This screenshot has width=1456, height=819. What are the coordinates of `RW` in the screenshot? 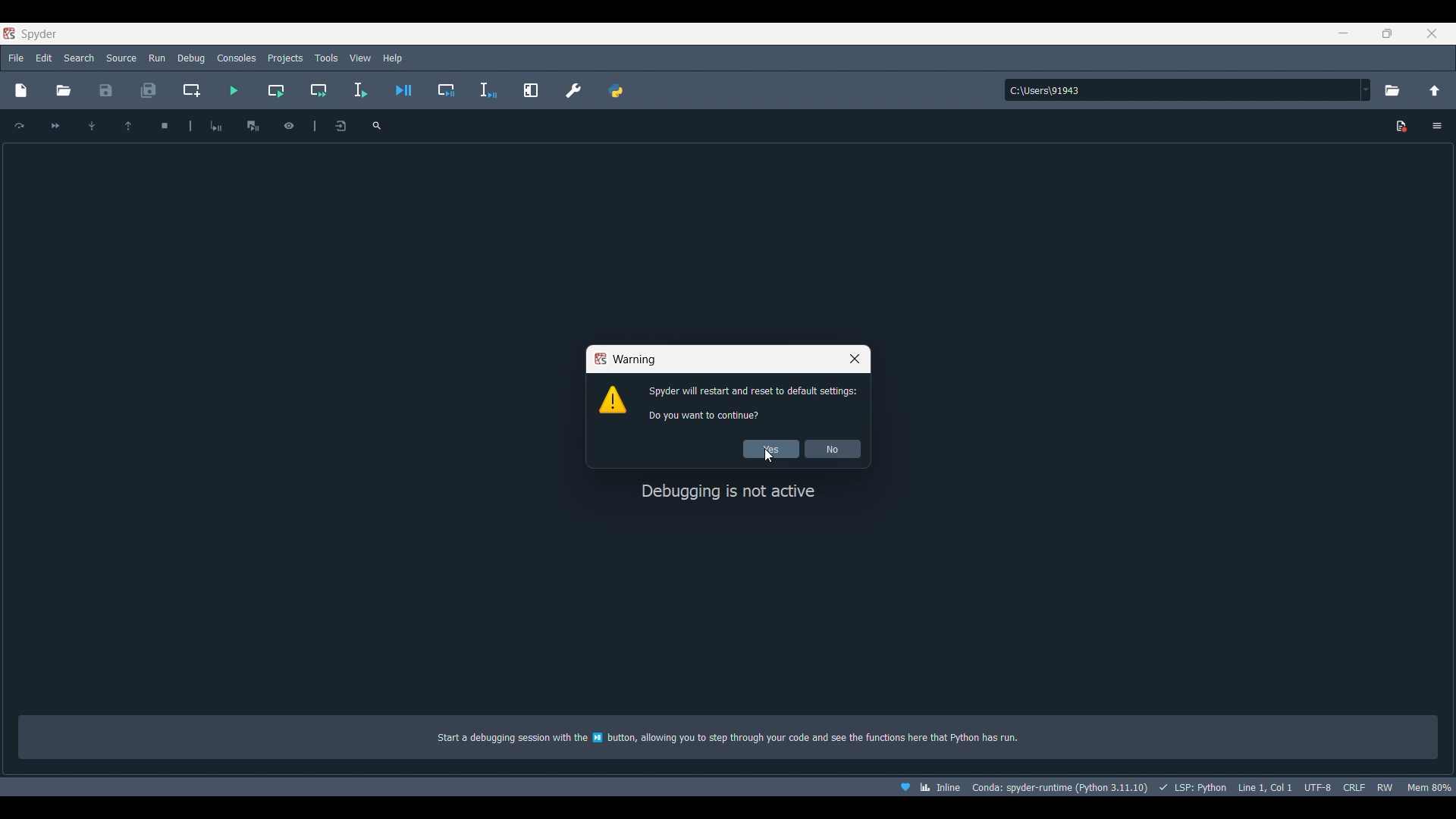 It's located at (1385, 787).